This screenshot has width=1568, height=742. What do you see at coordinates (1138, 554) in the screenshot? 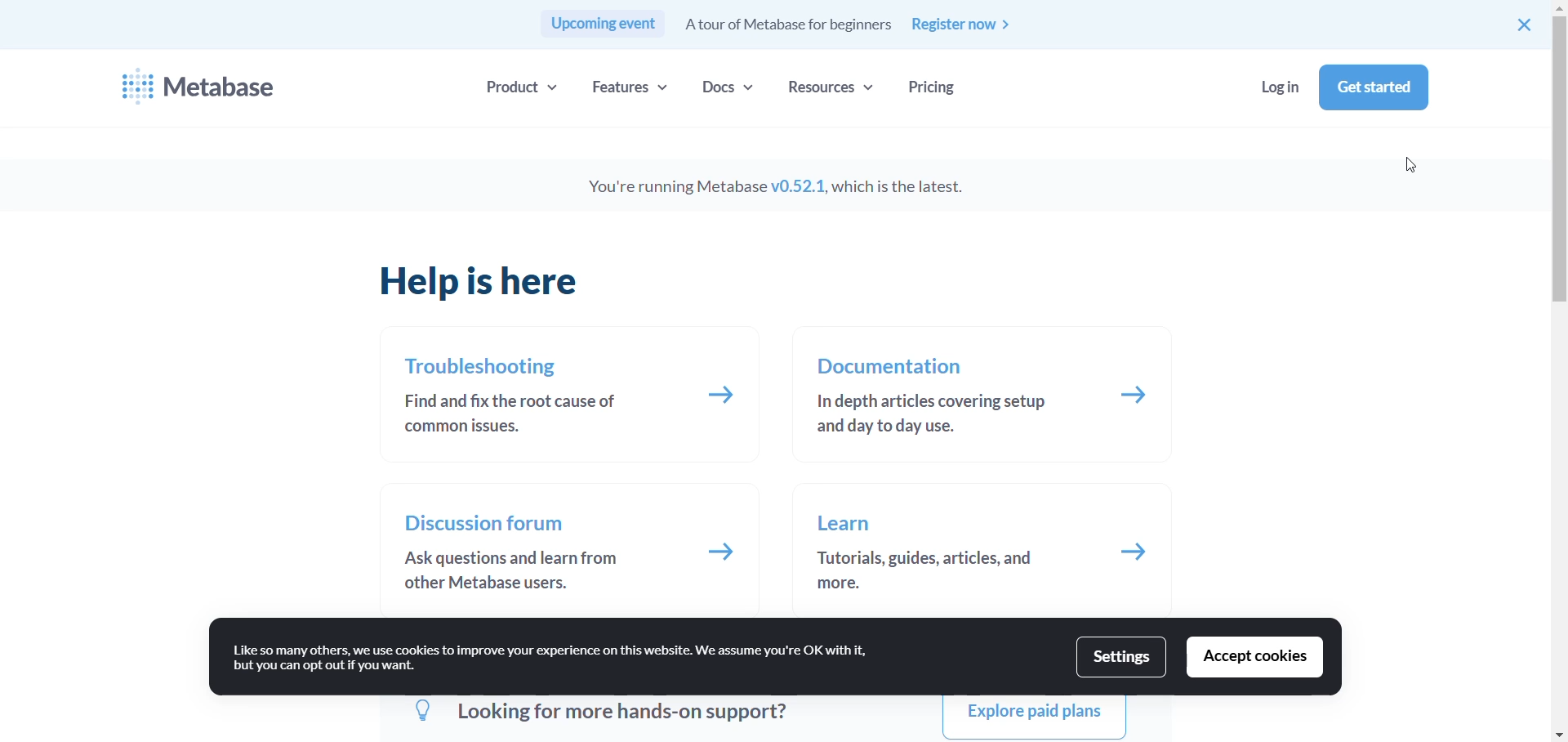
I see `guides help button` at bounding box center [1138, 554].